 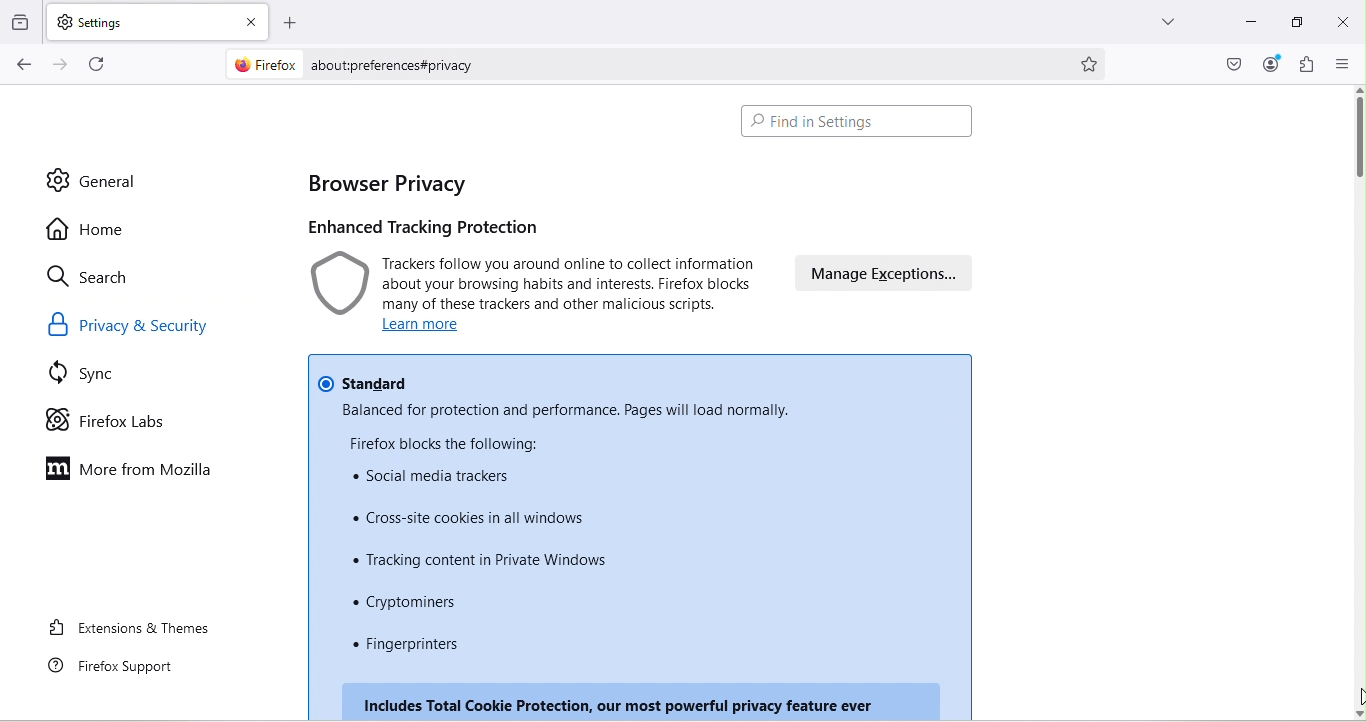 I want to click on Extensions and themes, so click(x=130, y=632).